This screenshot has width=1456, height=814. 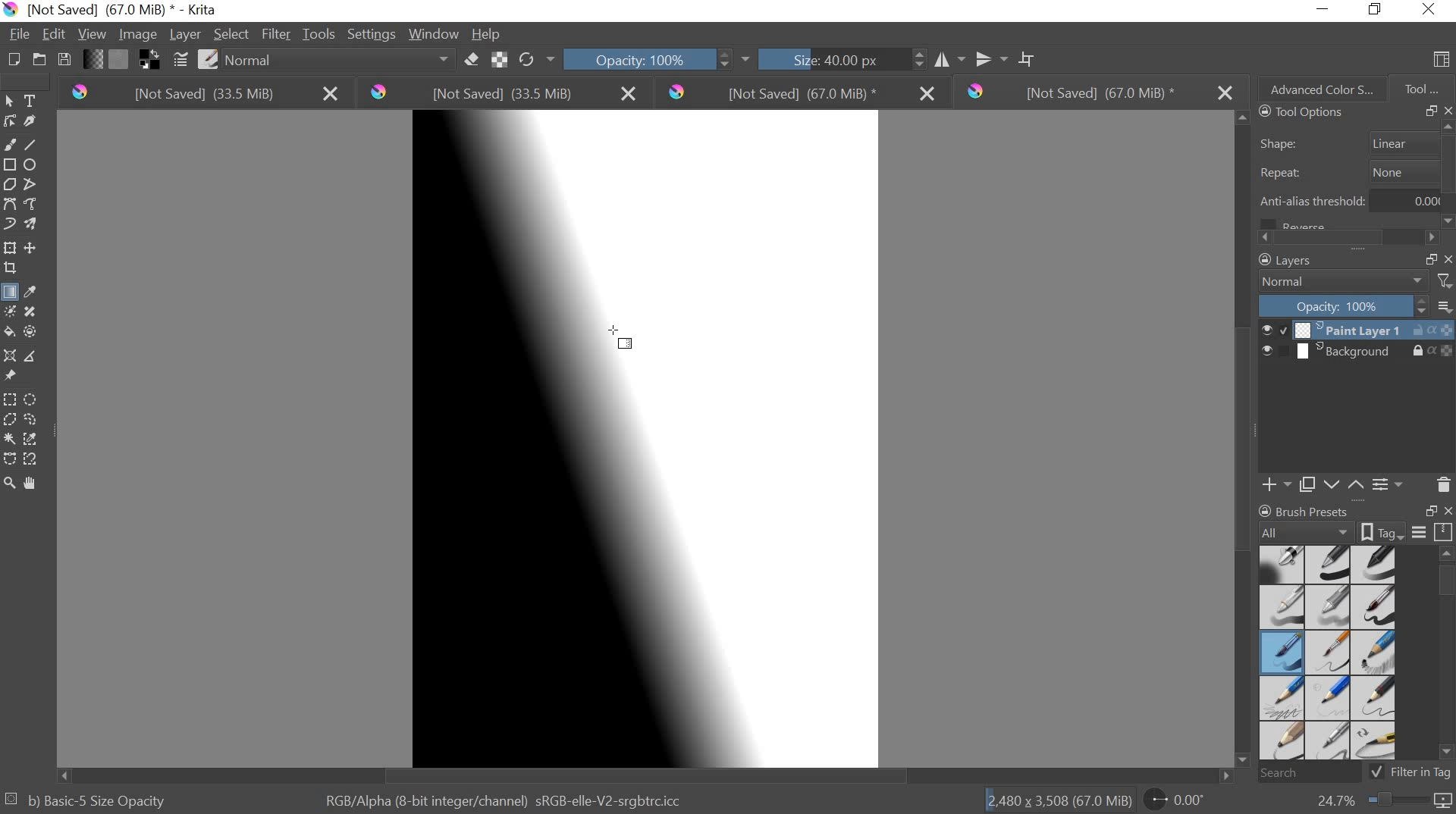 What do you see at coordinates (1351, 236) in the screenshot?
I see `SCROLLBAR` at bounding box center [1351, 236].